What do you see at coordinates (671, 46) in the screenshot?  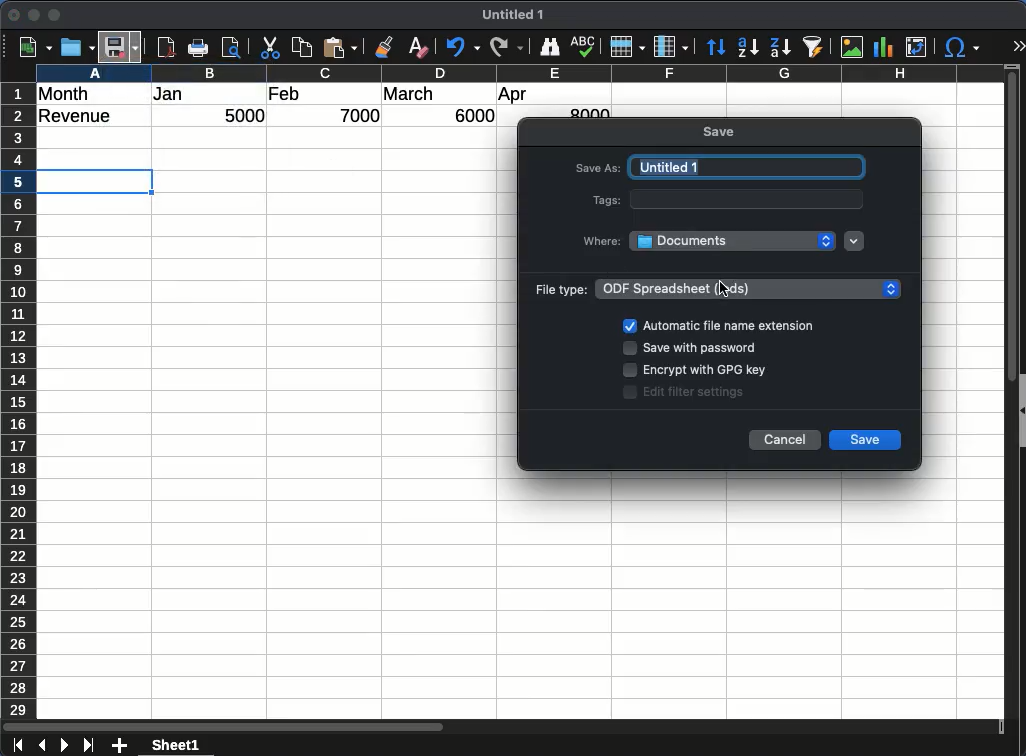 I see `column` at bounding box center [671, 46].